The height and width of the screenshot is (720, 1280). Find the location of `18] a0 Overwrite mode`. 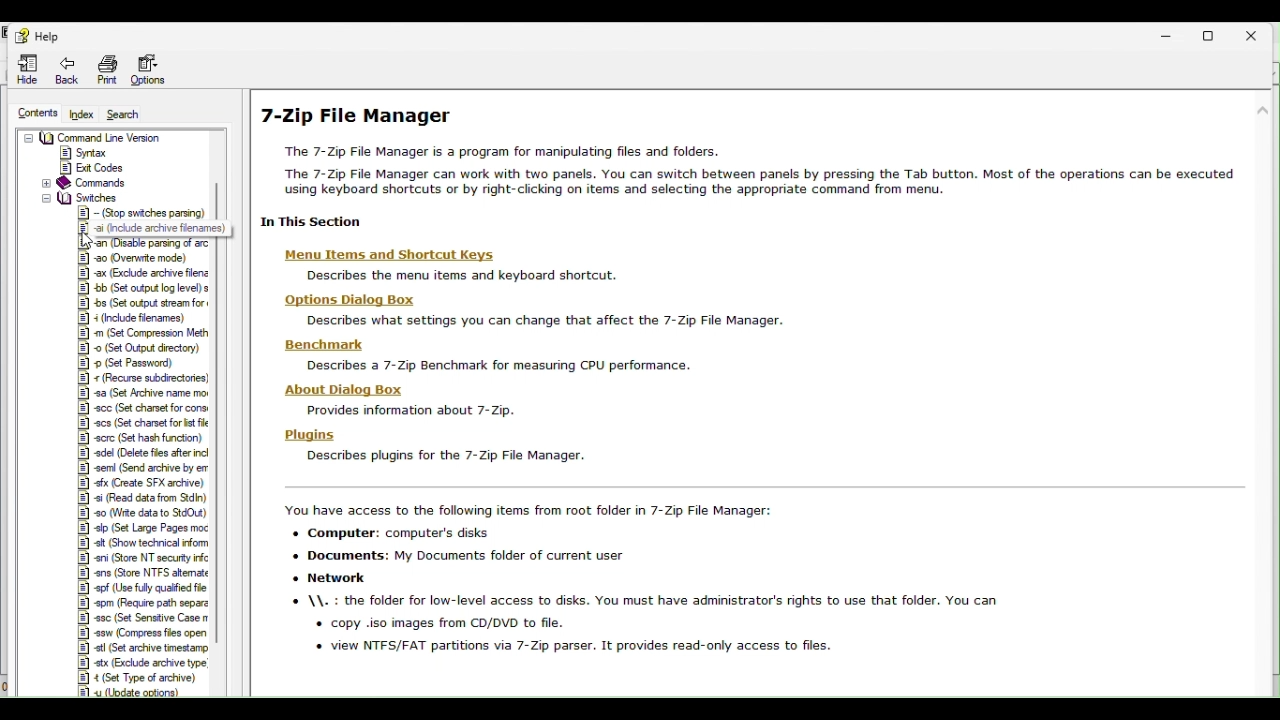

18] a0 Overwrite mode is located at coordinates (131, 257).